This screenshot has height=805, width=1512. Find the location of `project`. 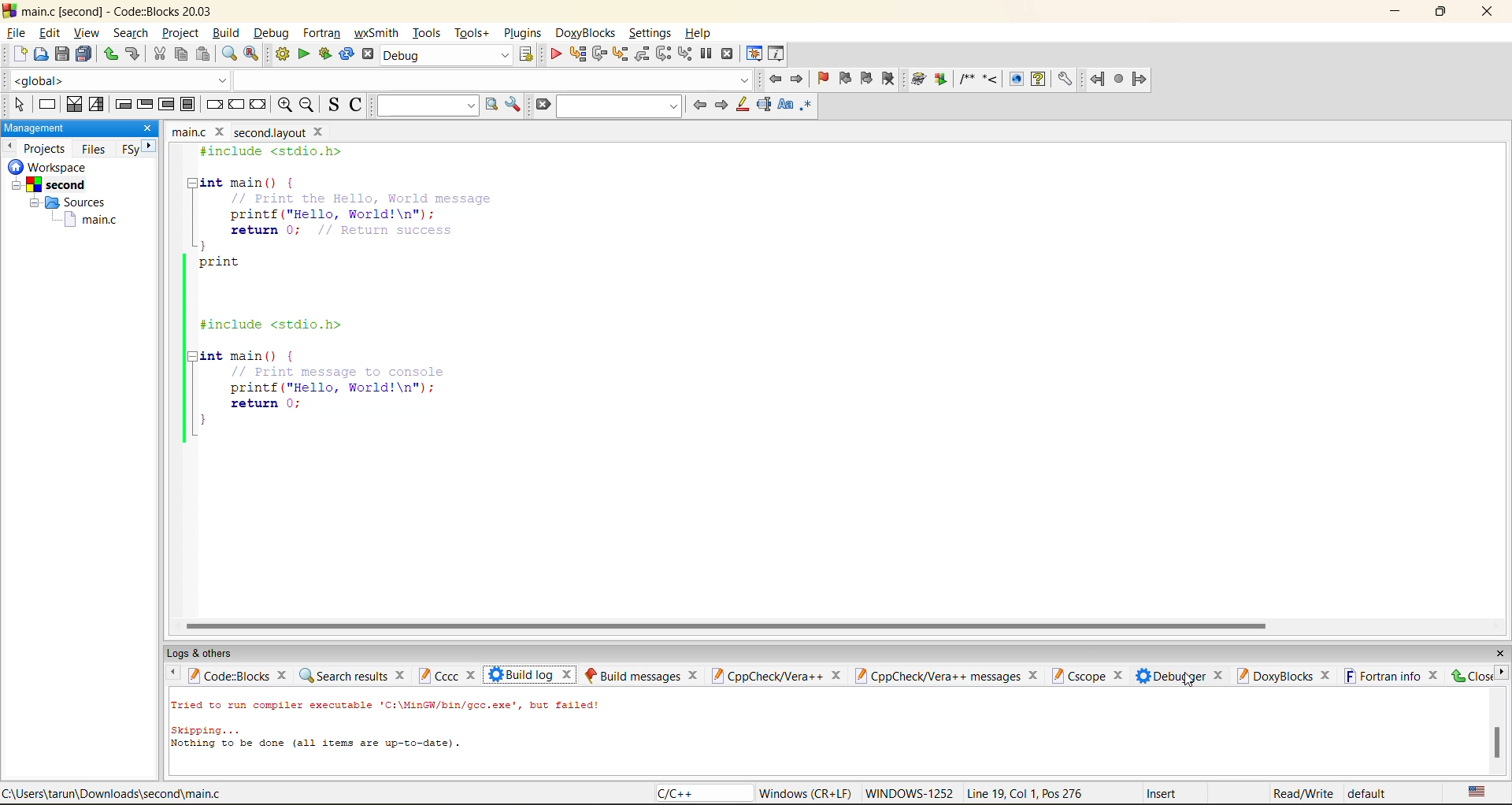

project is located at coordinates (179, 34).